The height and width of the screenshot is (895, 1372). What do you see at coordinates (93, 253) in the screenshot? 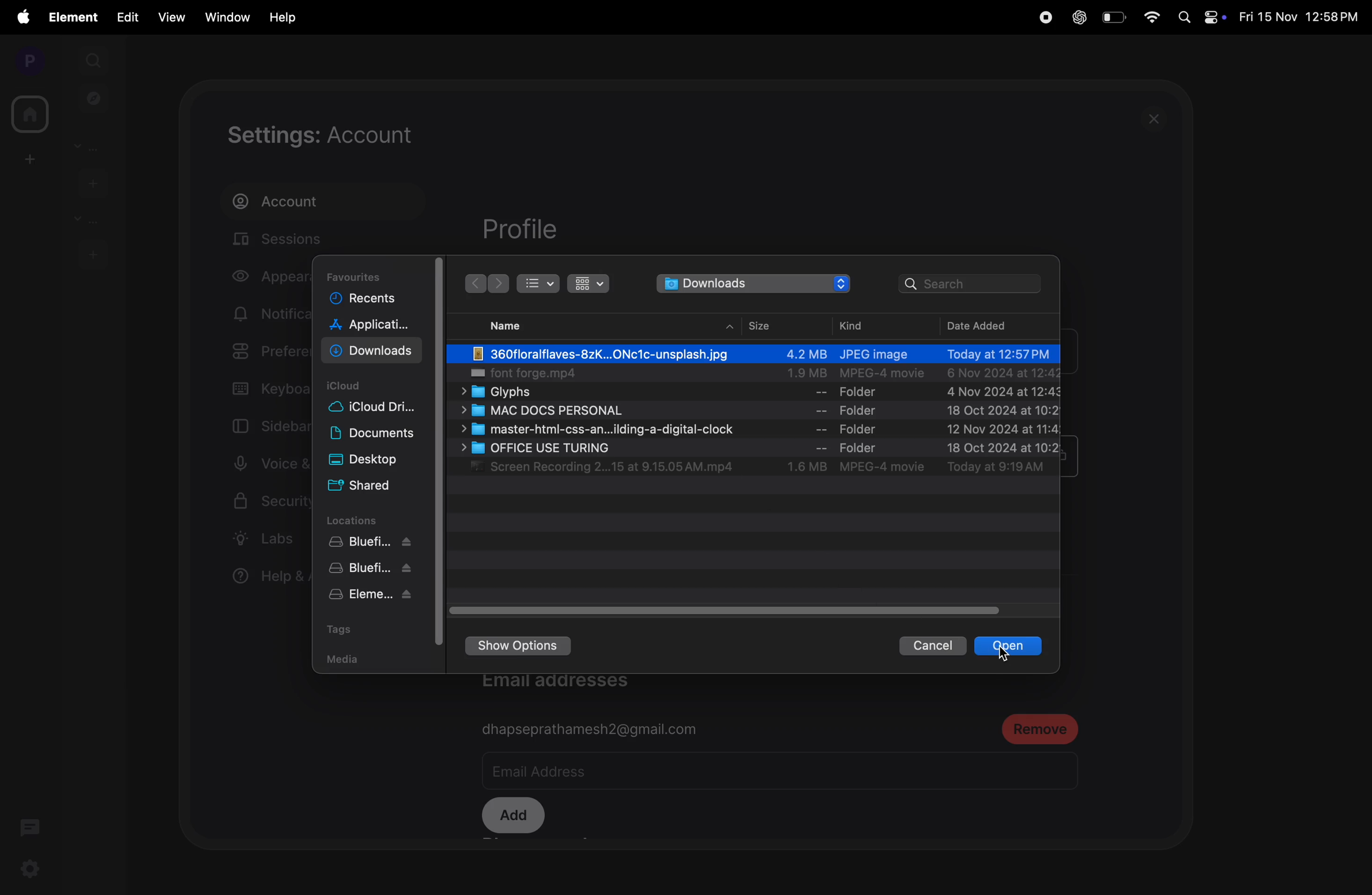
I see `add rooms` at bounding box center [93, 253].